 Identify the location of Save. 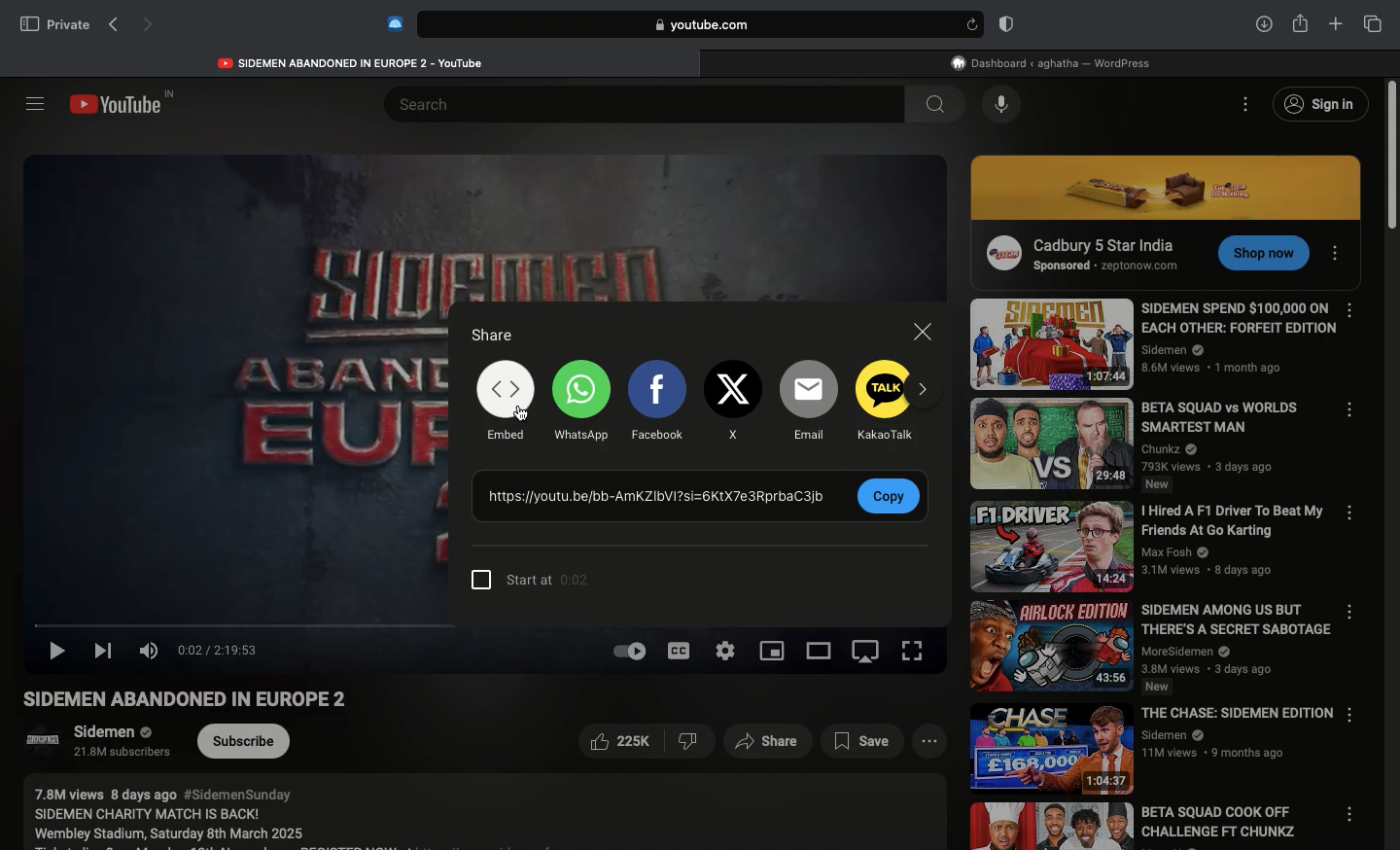
(864, 742).